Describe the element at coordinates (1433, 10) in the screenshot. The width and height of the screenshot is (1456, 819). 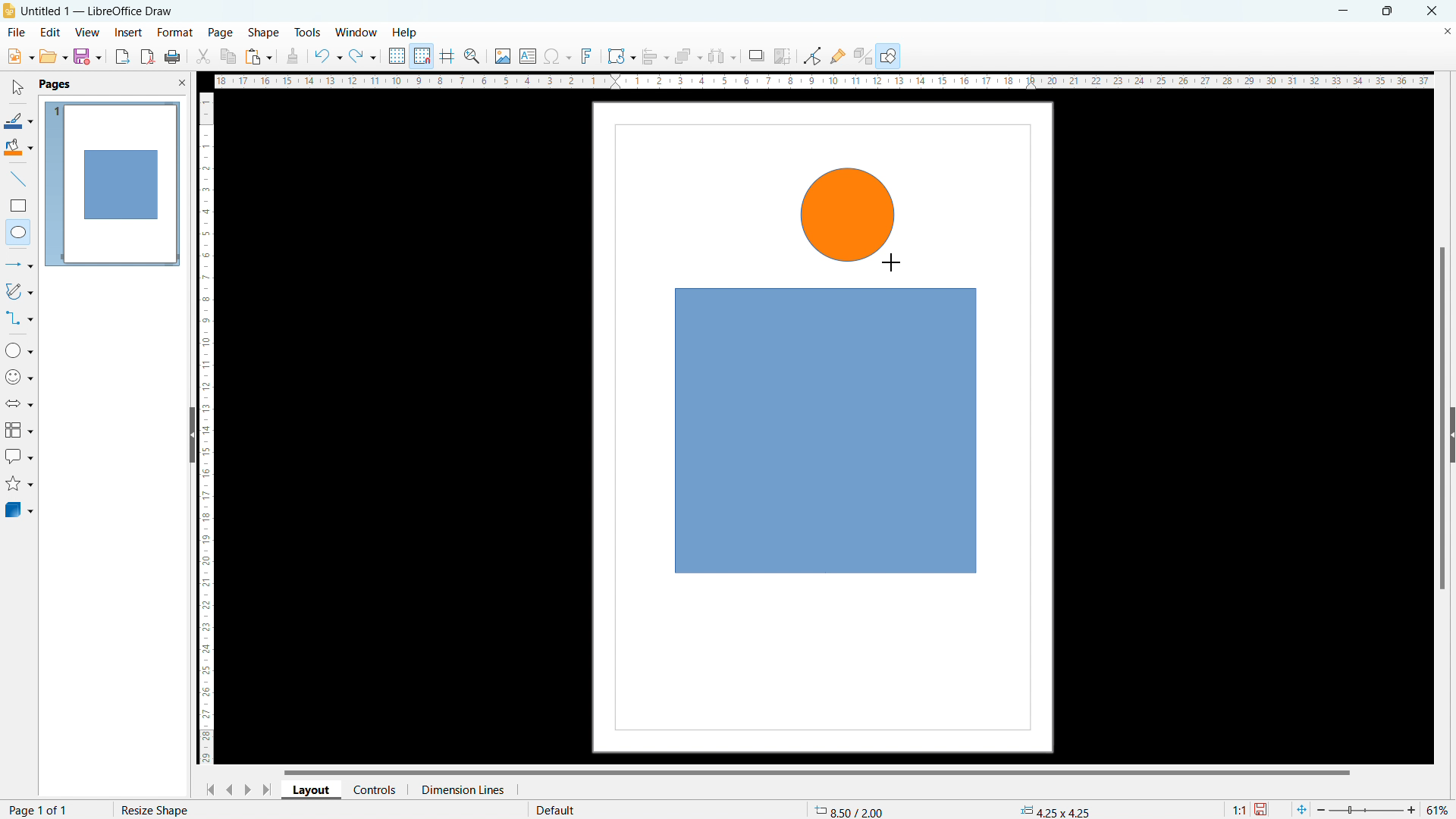
I see `close` at that location.